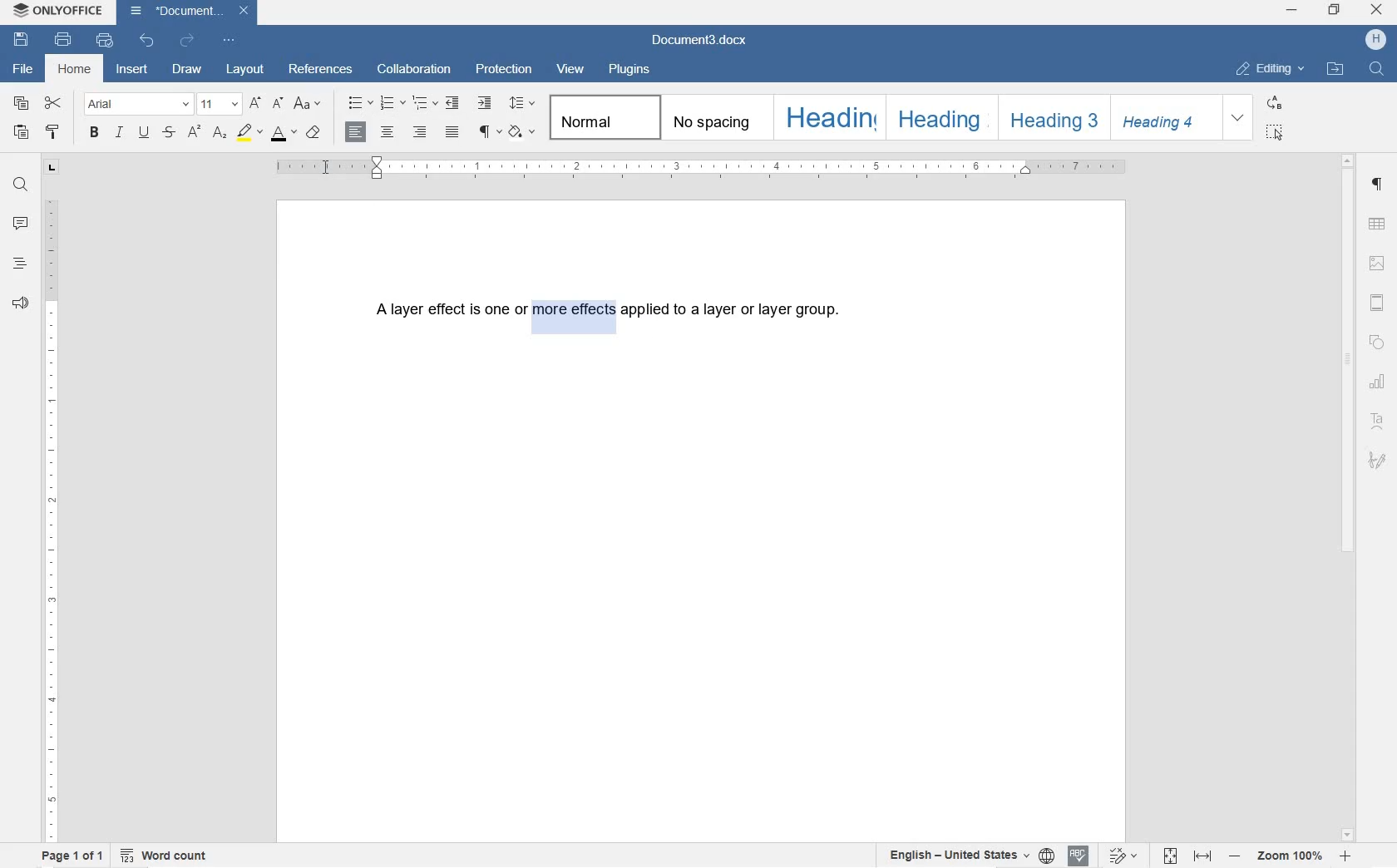  What do you see at coordinates (245, 68) in the screenshot?
I see `LAYOUT` at bounding box center [245, 68].